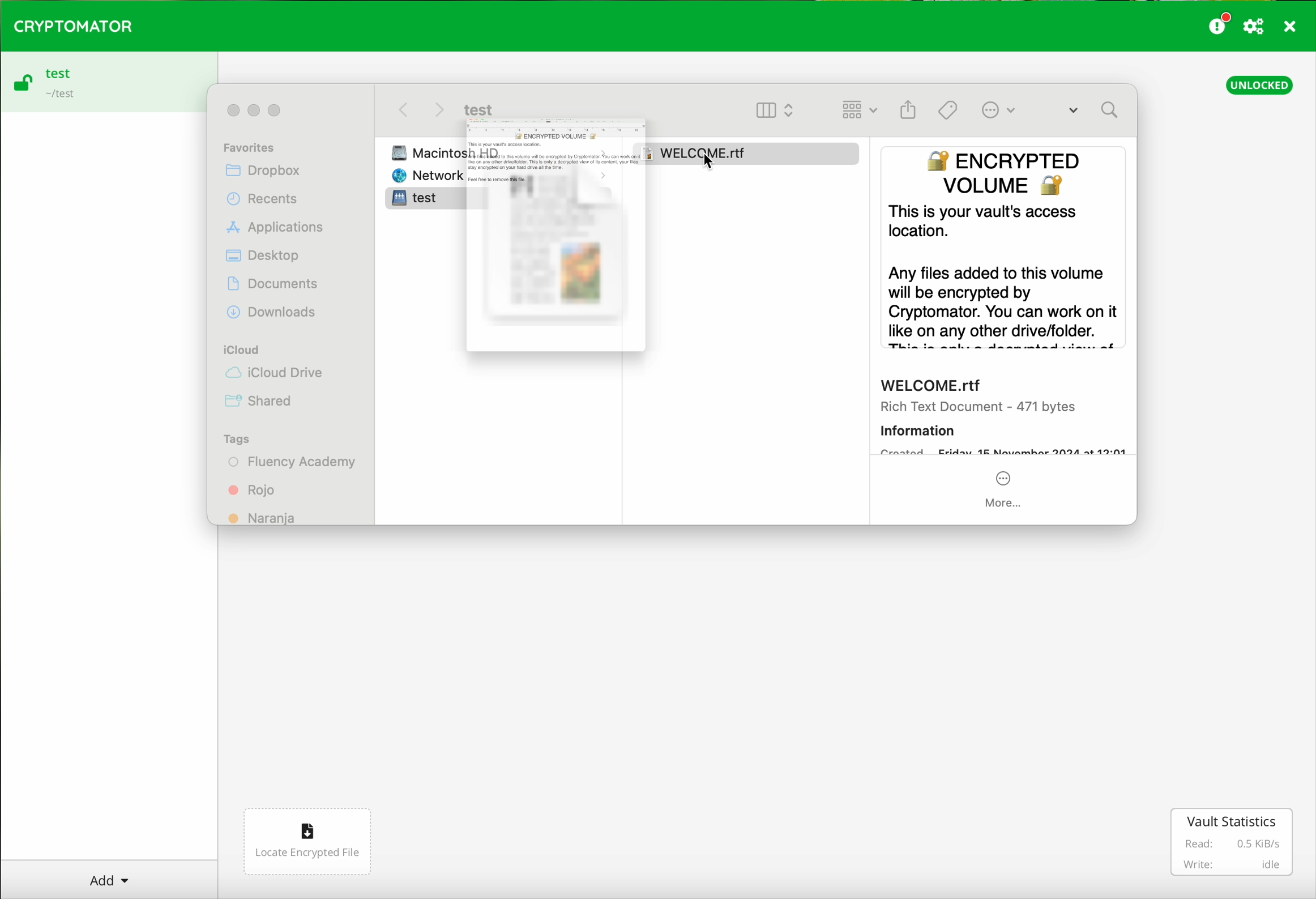 Image resolution: width=1316 pixels, height=899 pixels. I want to click on Search, so click(1096, 112).